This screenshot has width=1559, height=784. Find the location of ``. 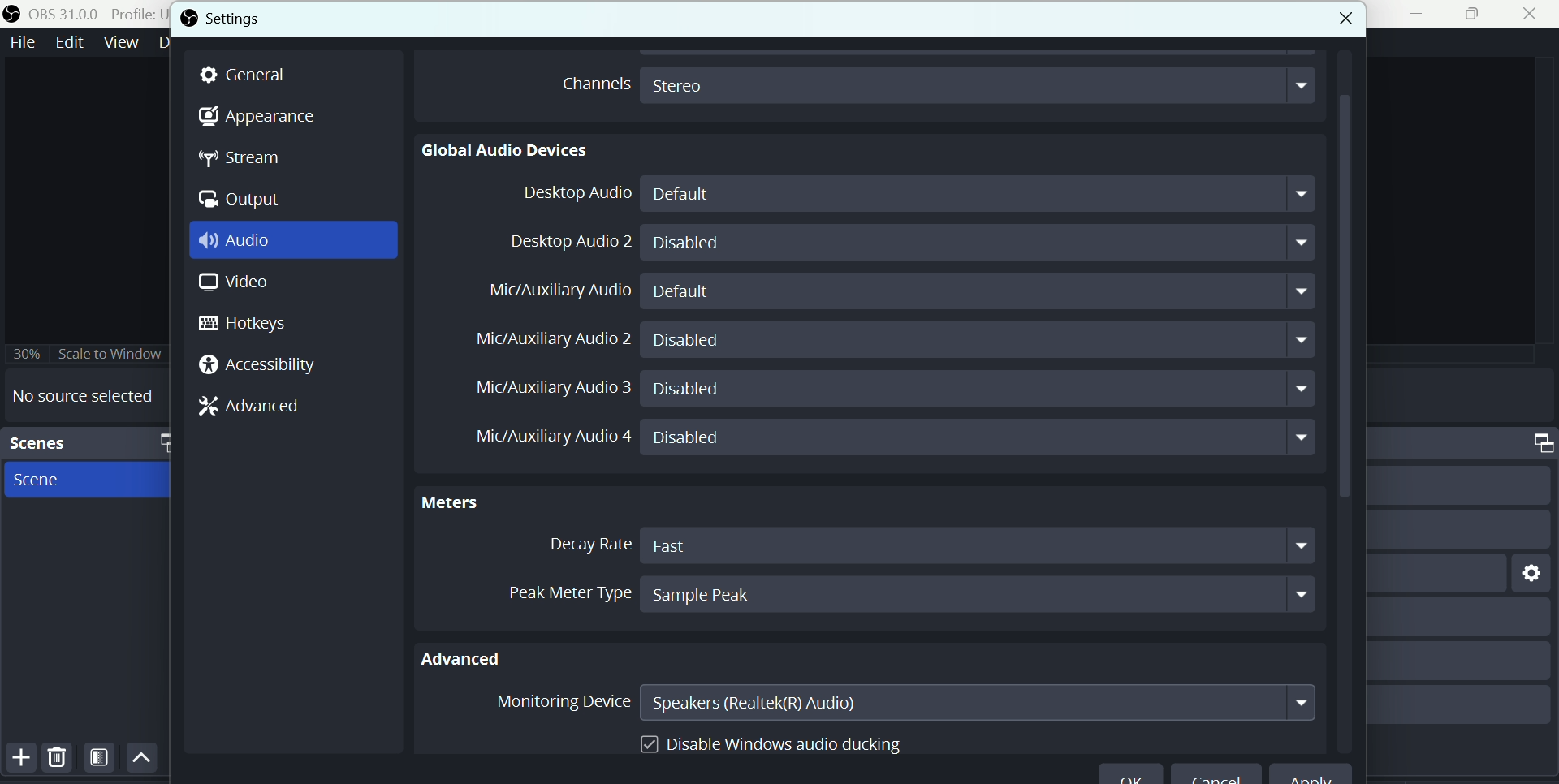

 is located at coordinates (18, 759).